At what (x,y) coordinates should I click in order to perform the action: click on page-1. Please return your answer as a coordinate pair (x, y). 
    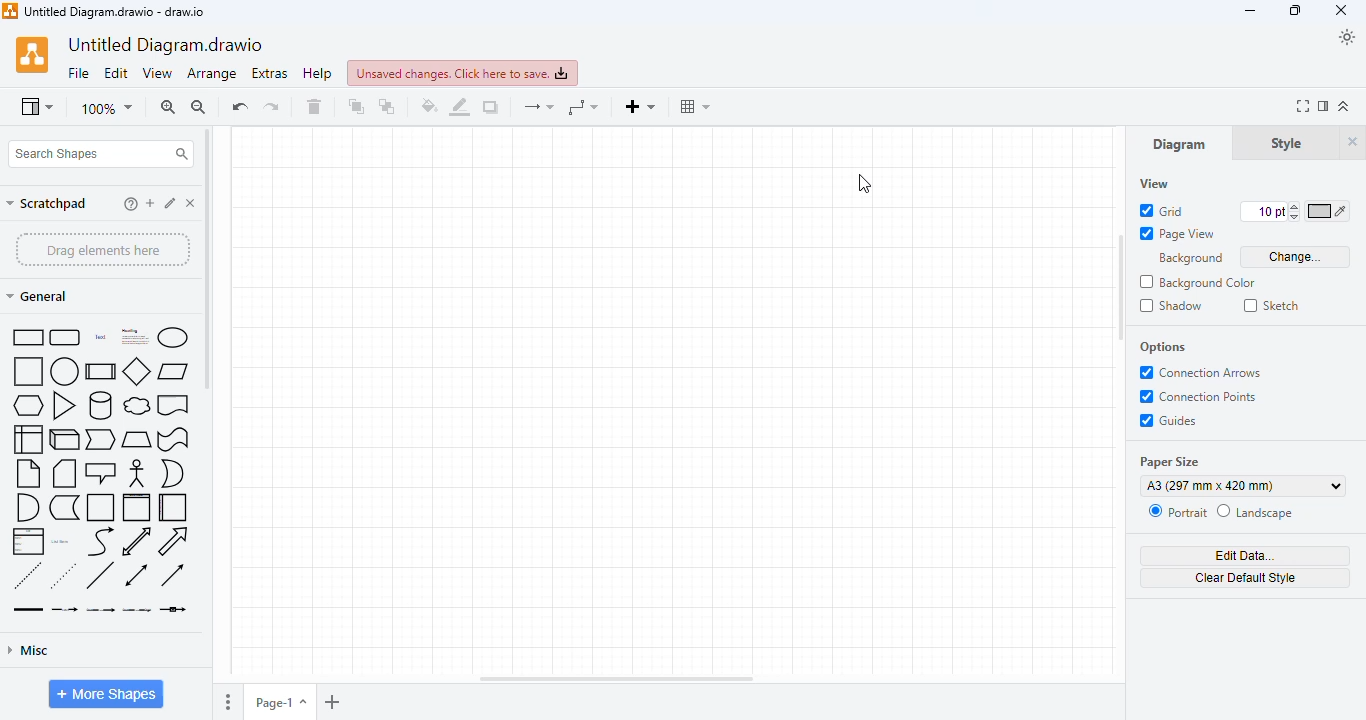
    Looking at the image, I should click on (280, 702).